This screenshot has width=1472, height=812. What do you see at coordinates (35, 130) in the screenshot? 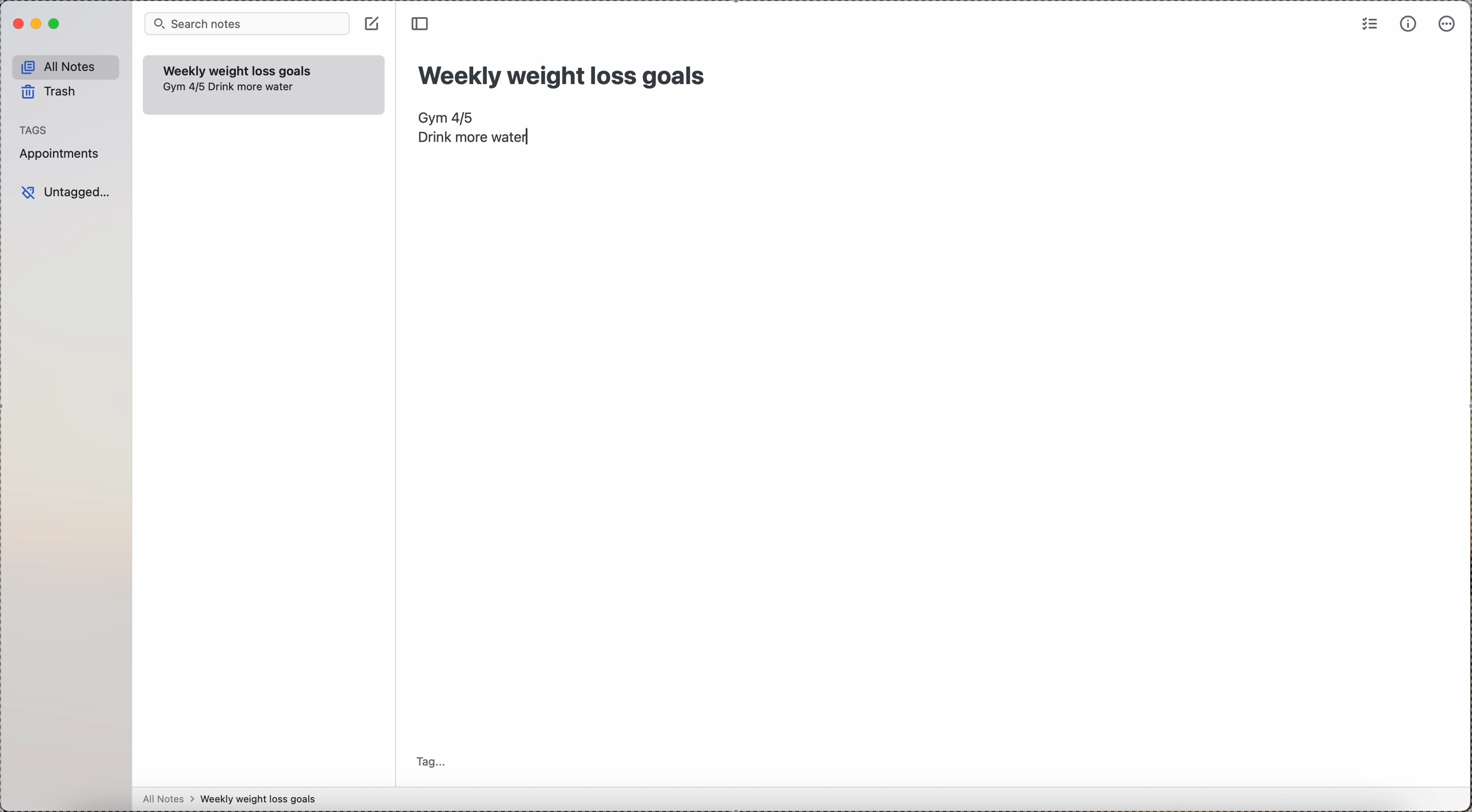
I see `tags` at bounding box center [35, 130].